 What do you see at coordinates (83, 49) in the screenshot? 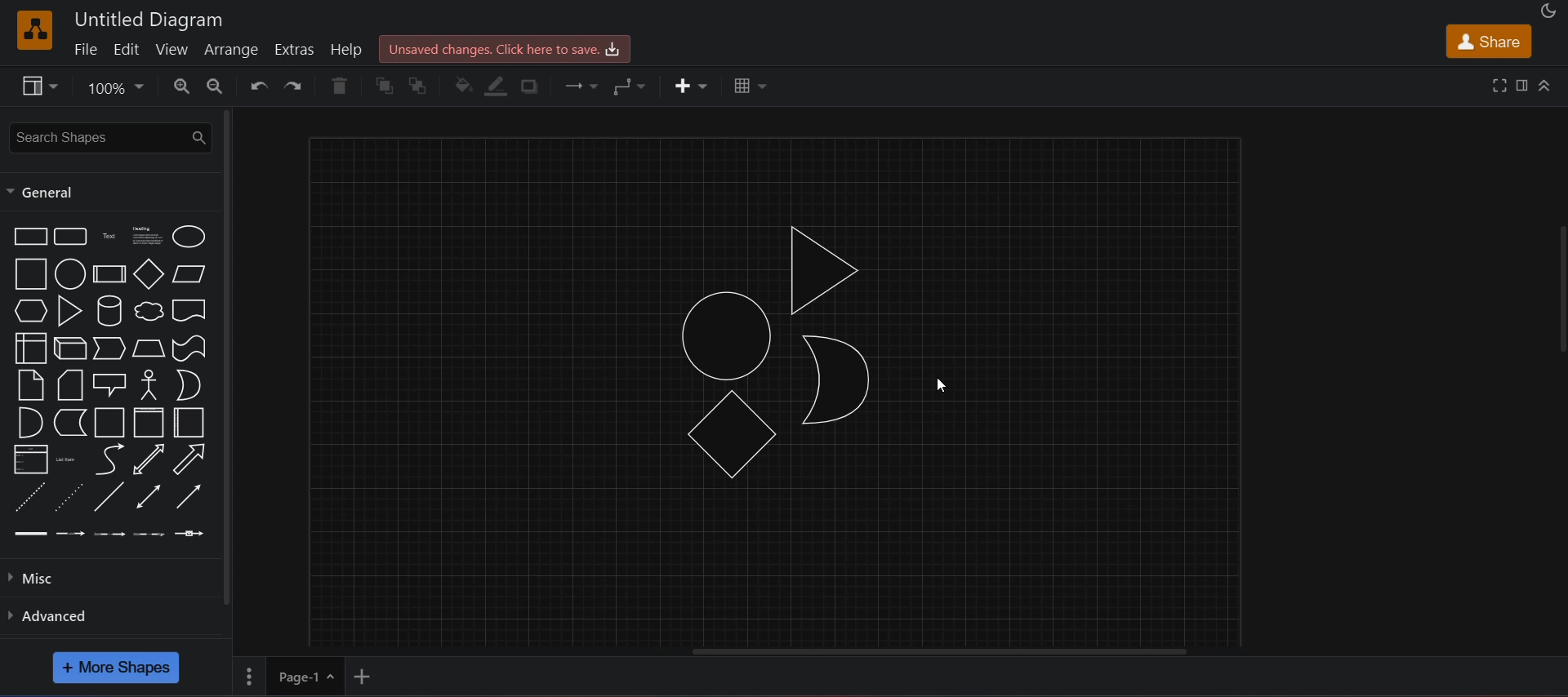
I see `file` at bounding box center [83, 49].